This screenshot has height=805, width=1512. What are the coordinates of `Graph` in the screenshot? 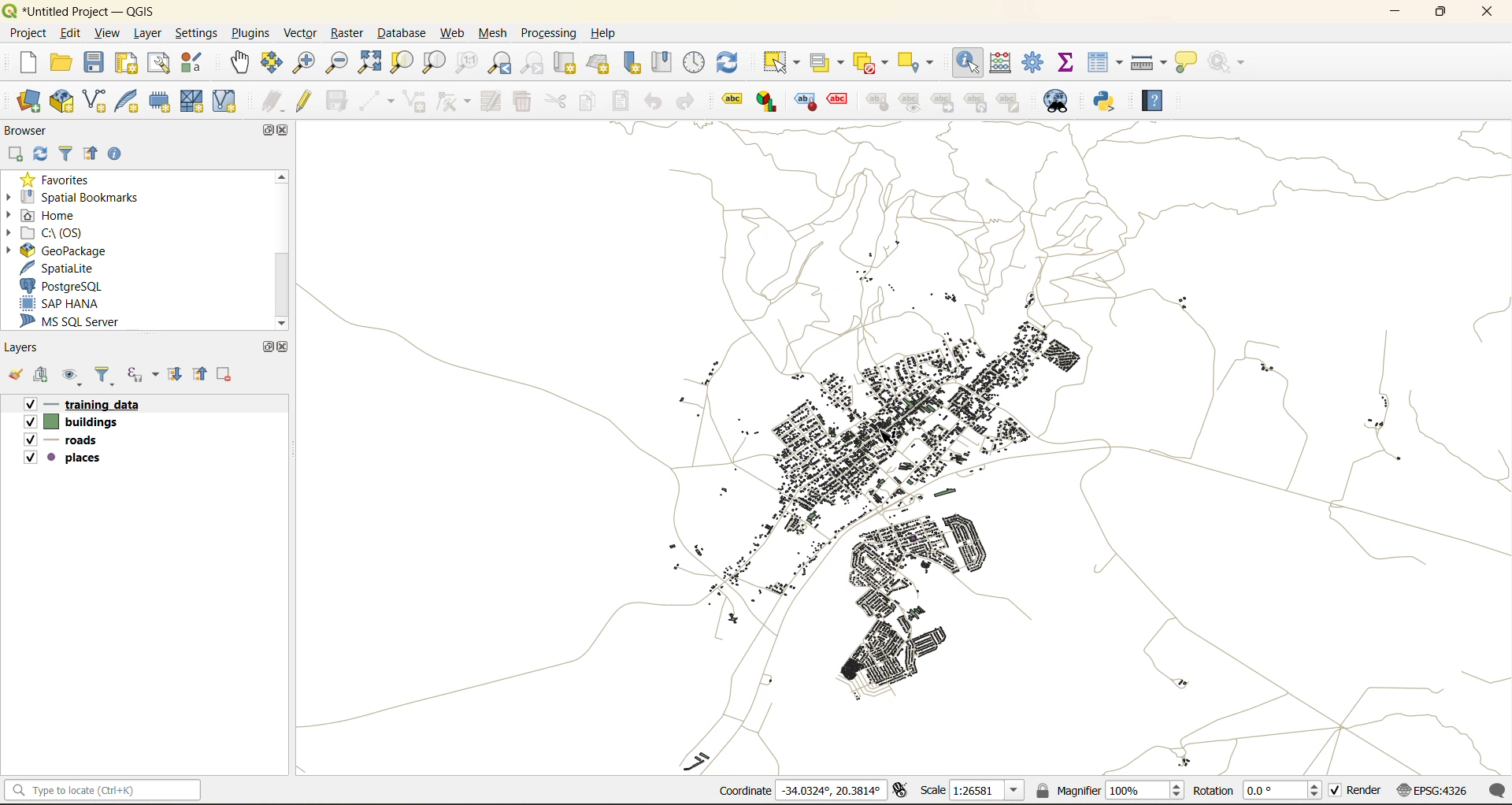 It's located at (764, 102).